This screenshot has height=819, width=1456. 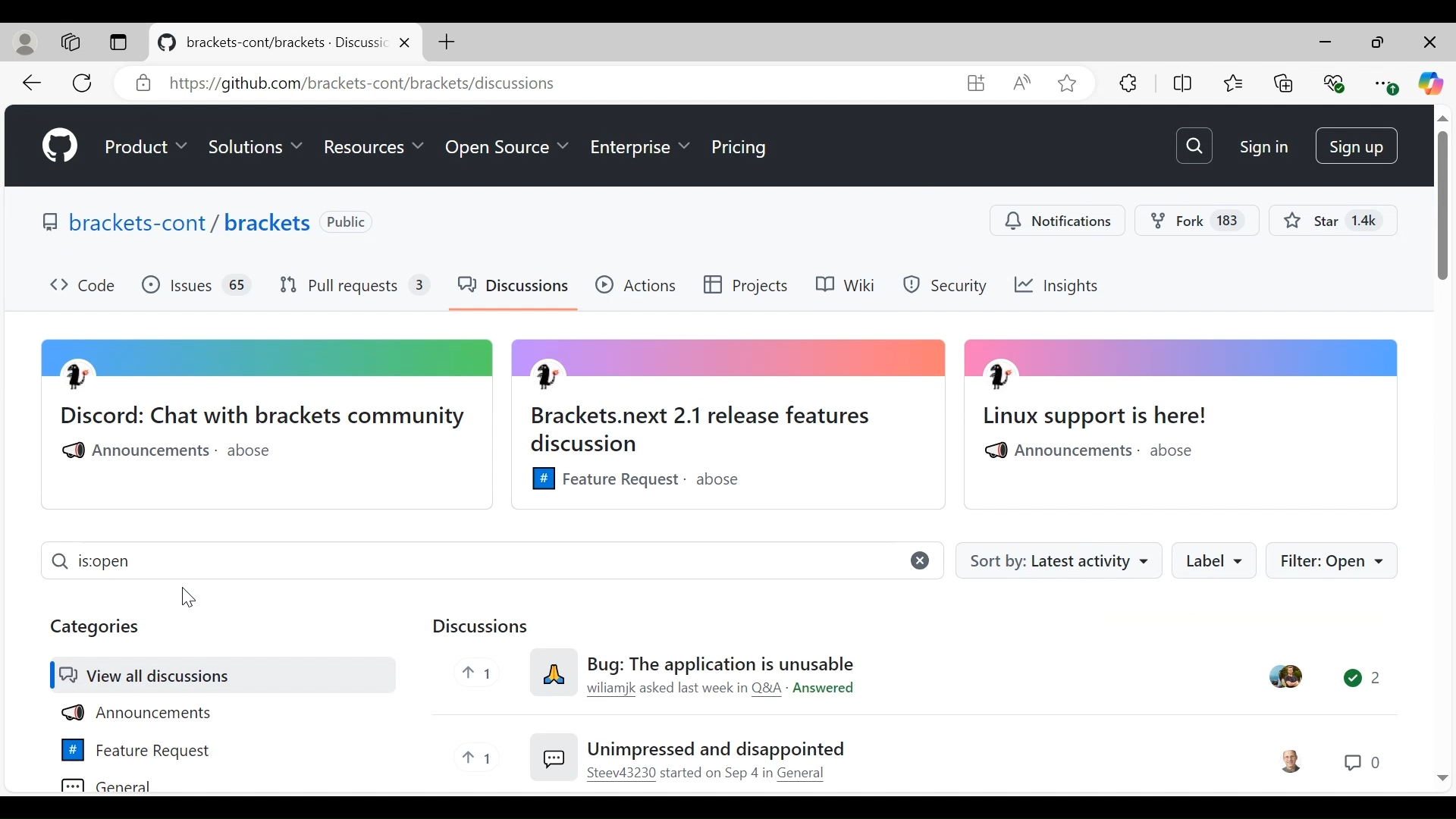 I want to click on Insights, so click(x=1059, y=287).